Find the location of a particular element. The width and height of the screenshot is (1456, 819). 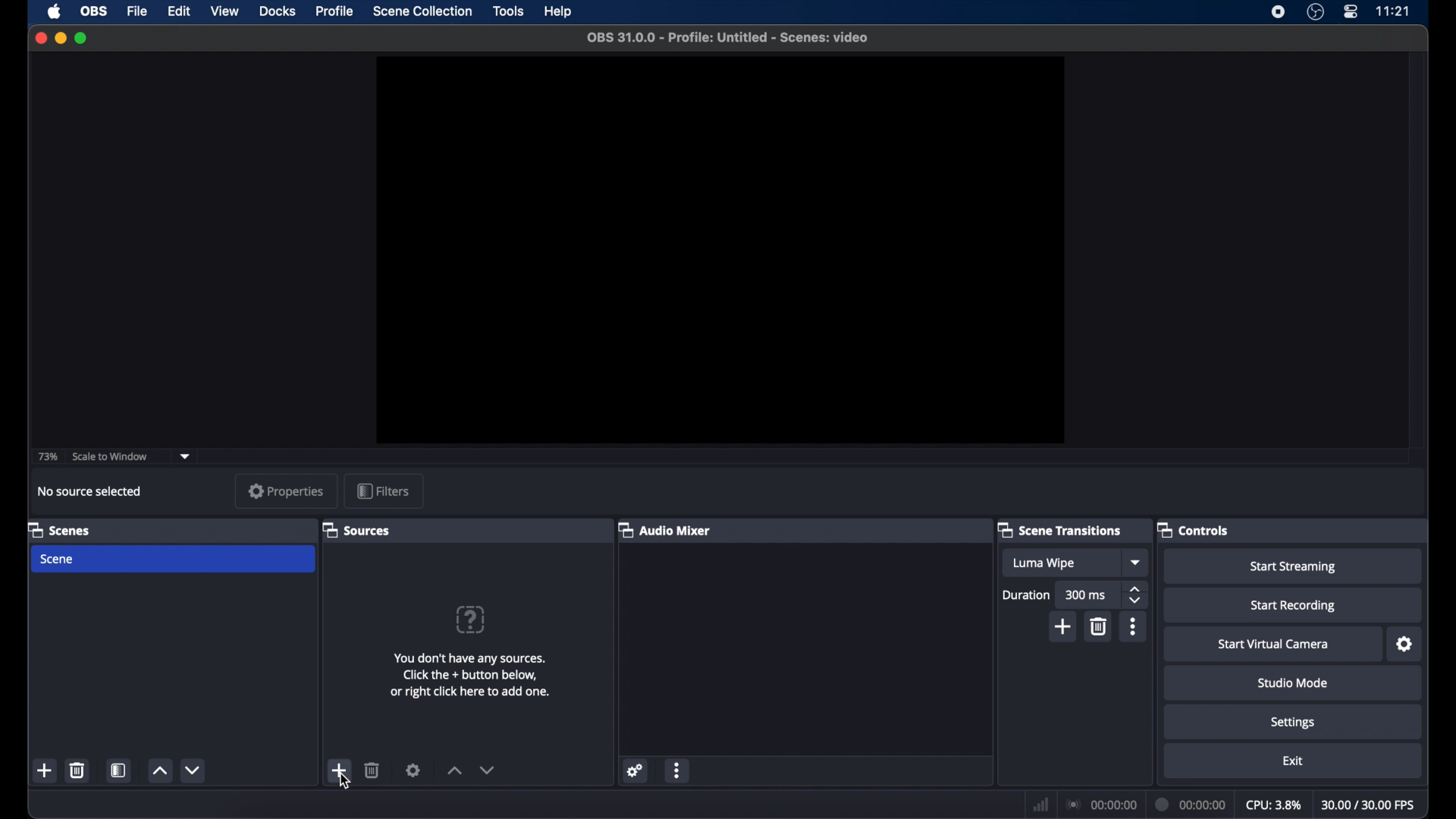

properties is located at coordinates (287, 491).